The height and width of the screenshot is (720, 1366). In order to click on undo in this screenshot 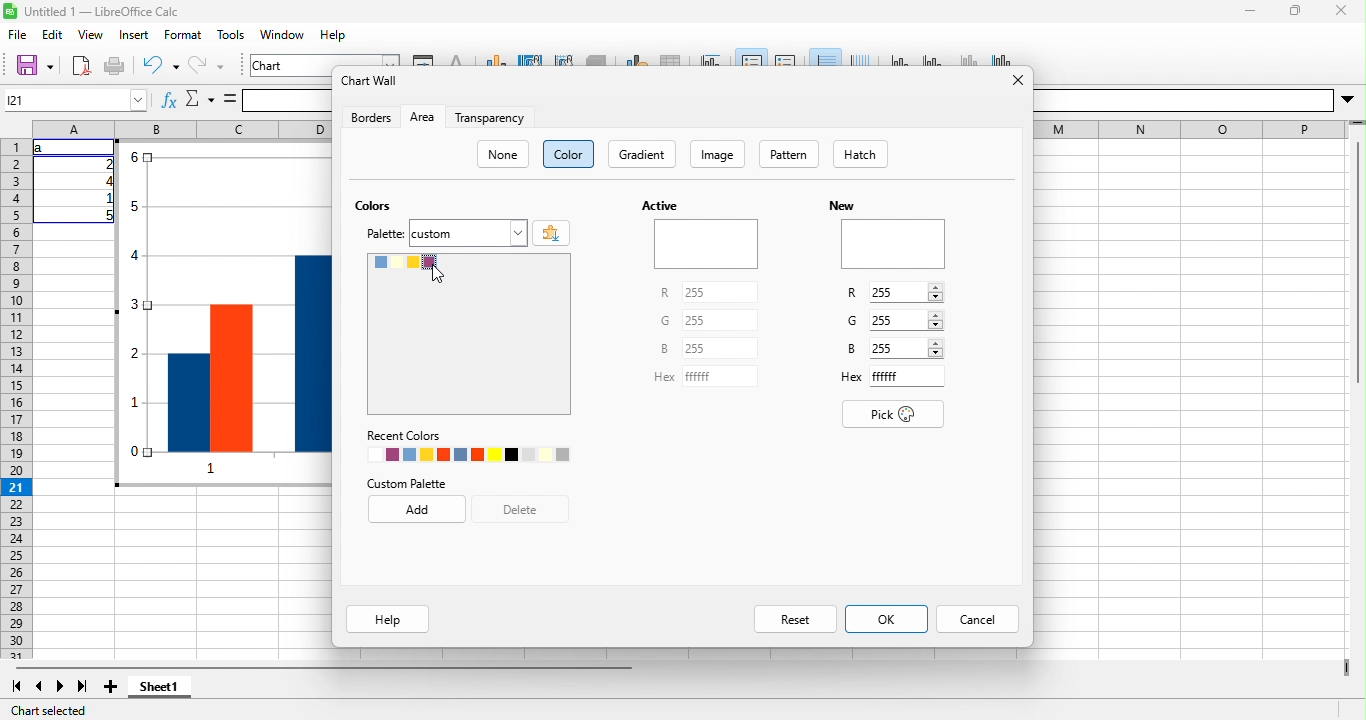, I will do `click(161, 66)`.